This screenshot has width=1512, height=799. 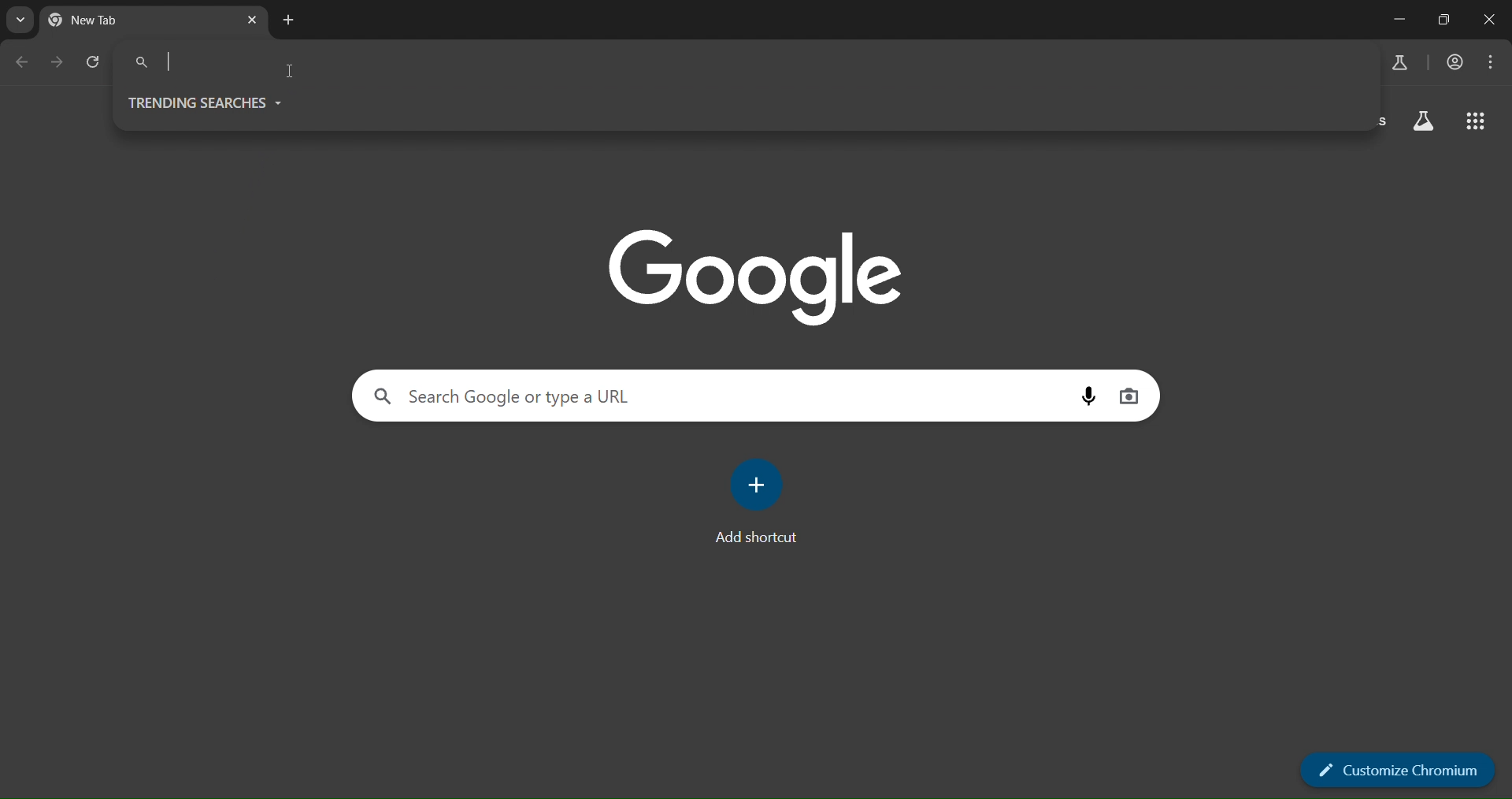 I want to click on Search Google or type a URL, so click(x=711, y=396).